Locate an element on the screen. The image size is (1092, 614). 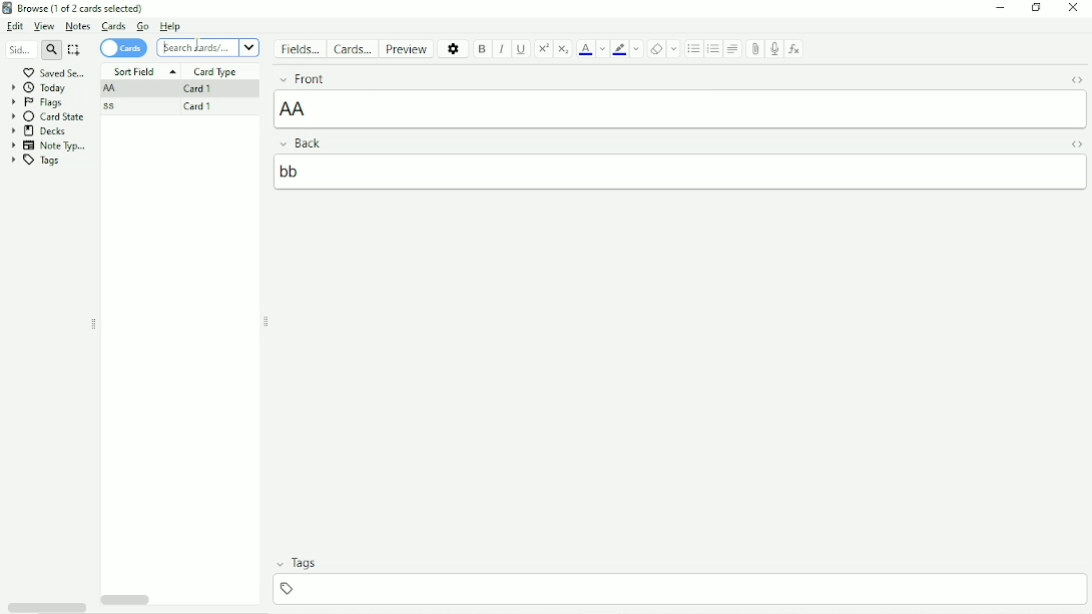
Browse is located at coordinates (81, 6).